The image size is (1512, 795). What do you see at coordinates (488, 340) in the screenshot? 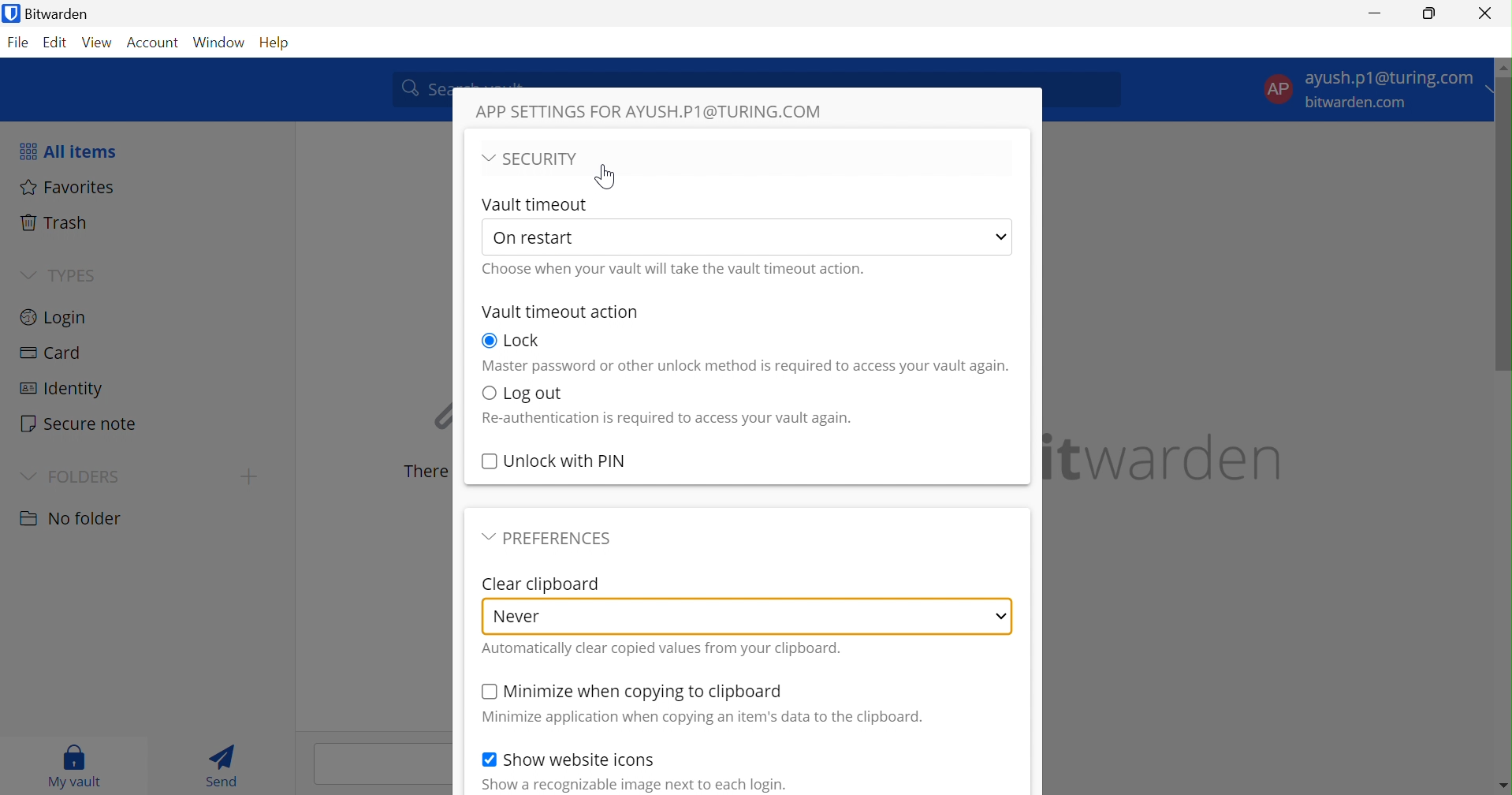
I see `Checkbox` at bounding box center [488, 340].